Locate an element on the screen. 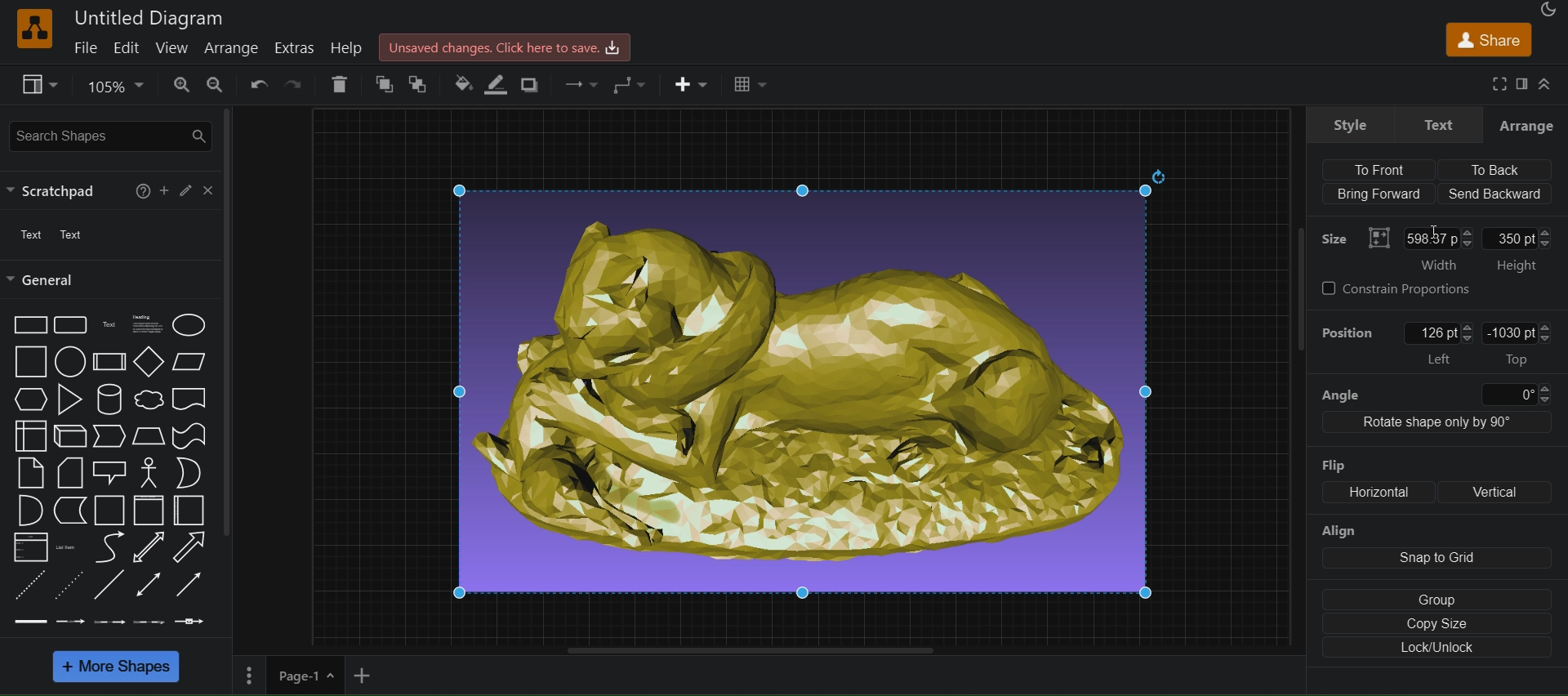 The height and width of the screenshot is (696, 1568). edit is located at coordinates (125, 47).